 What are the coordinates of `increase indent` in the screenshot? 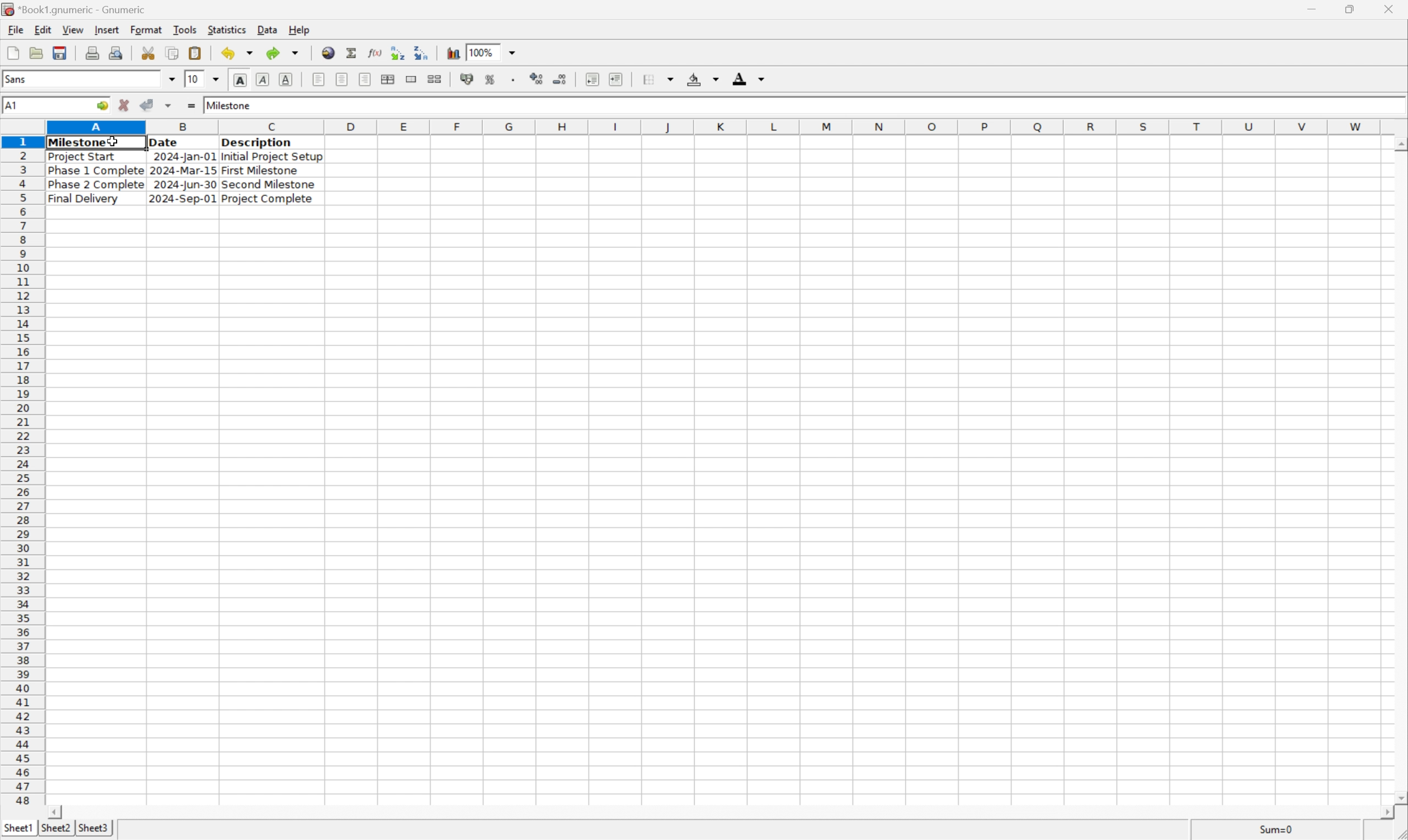 It's located at (619, 79).